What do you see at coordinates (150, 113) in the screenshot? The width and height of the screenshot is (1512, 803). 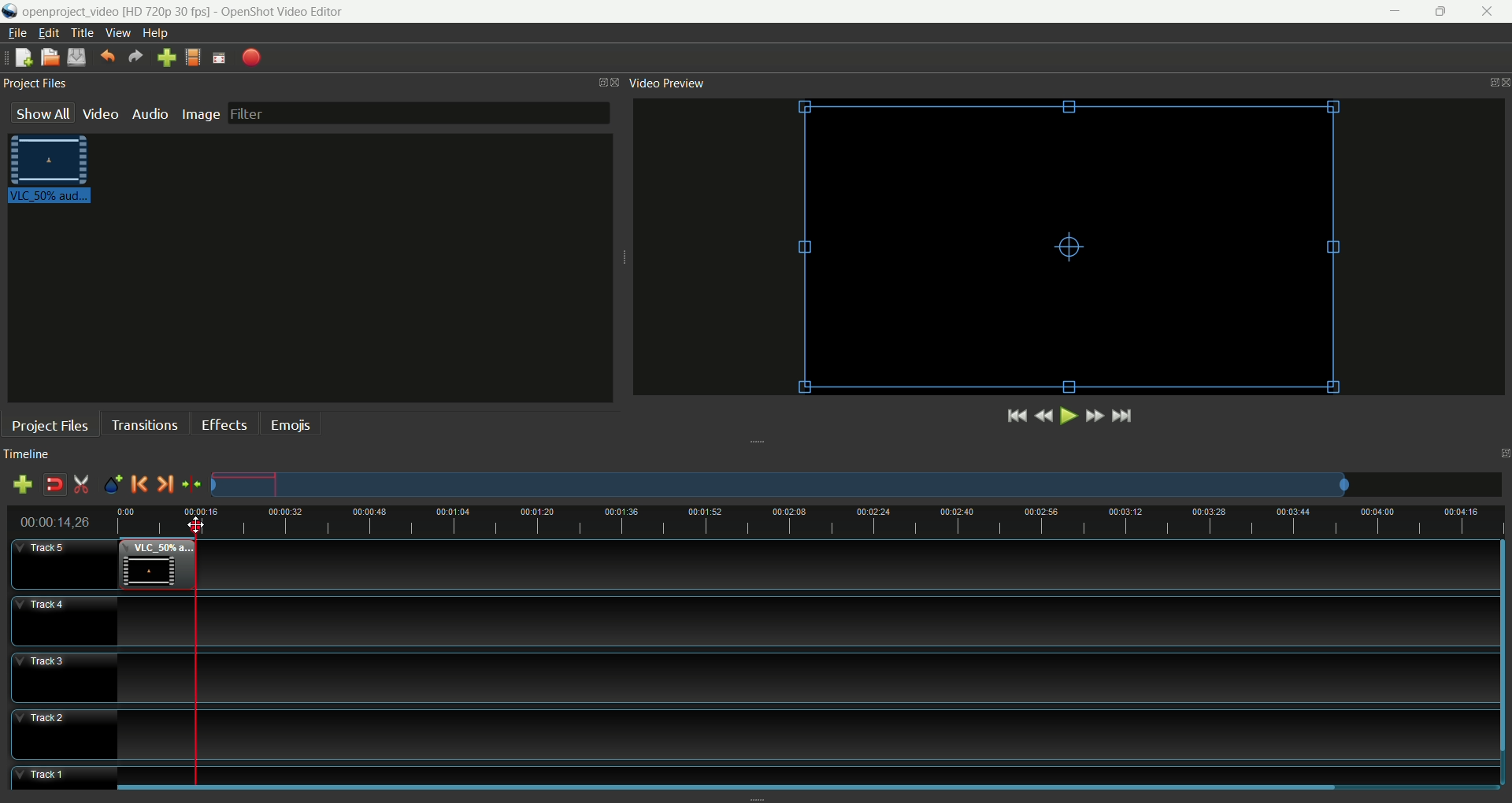 I see `audio` at bounding box center [150, 113].